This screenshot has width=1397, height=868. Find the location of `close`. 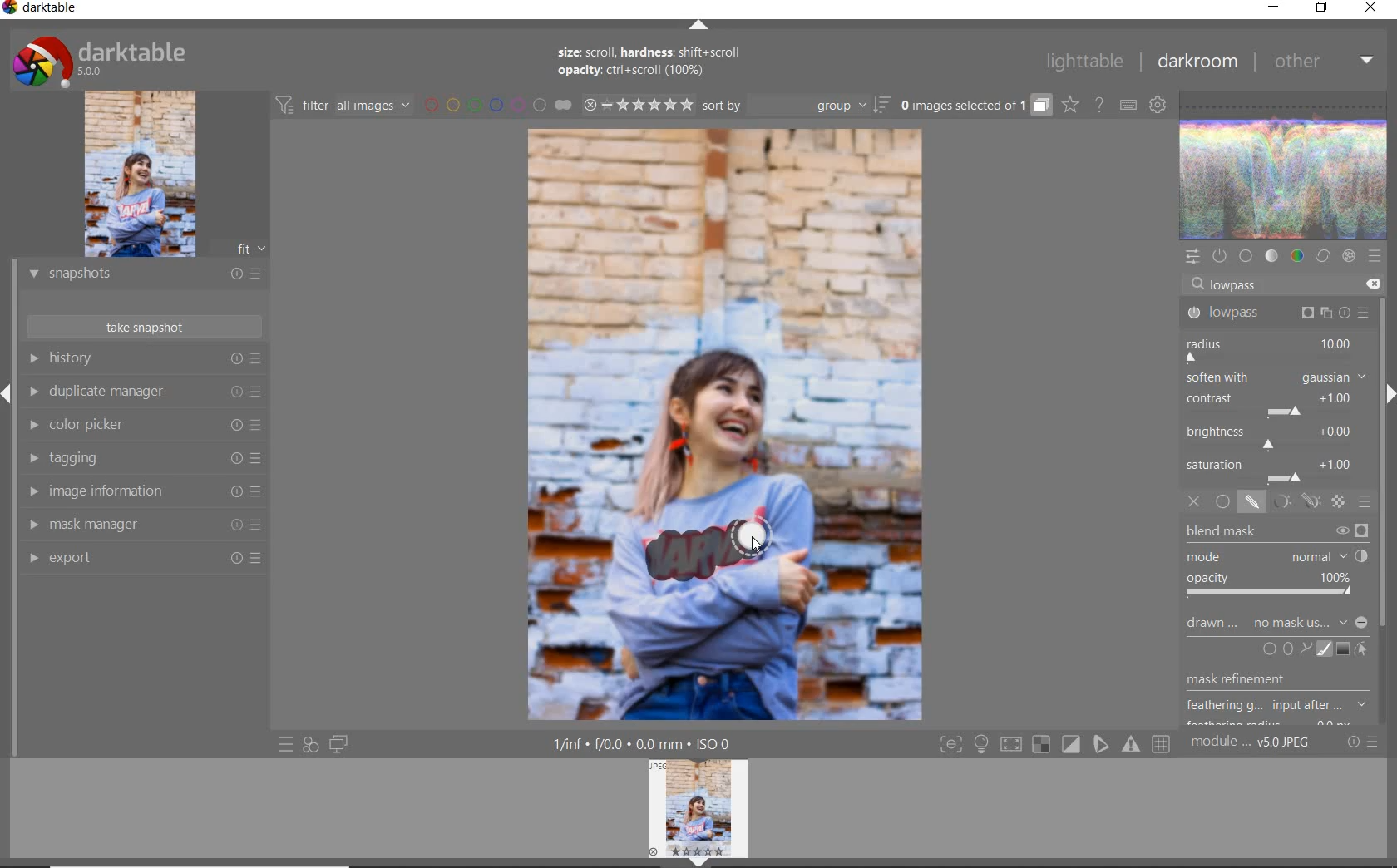

close is located at coordinates (1370, 9).